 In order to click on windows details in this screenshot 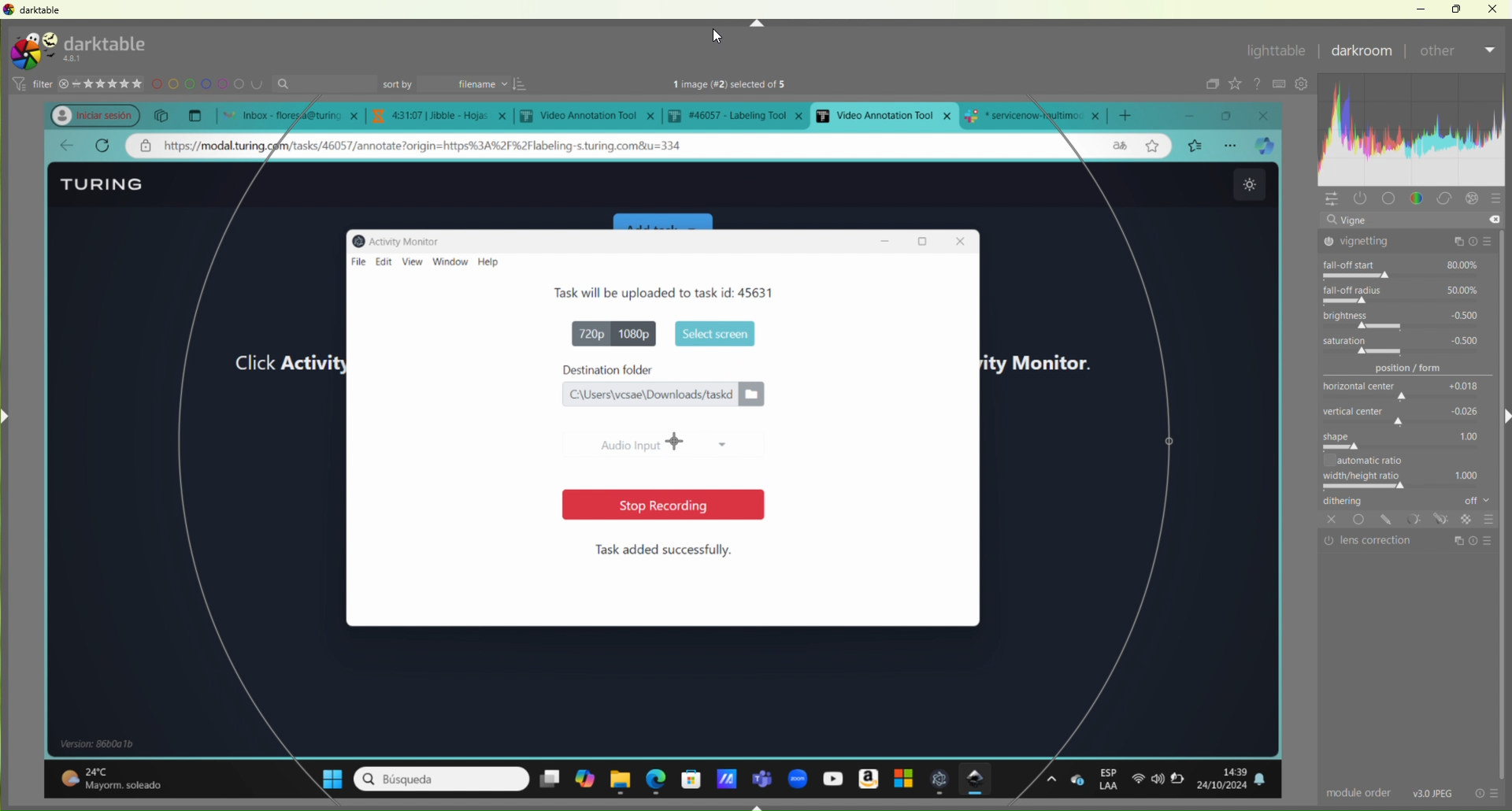, I will do `click(105, 743)`.